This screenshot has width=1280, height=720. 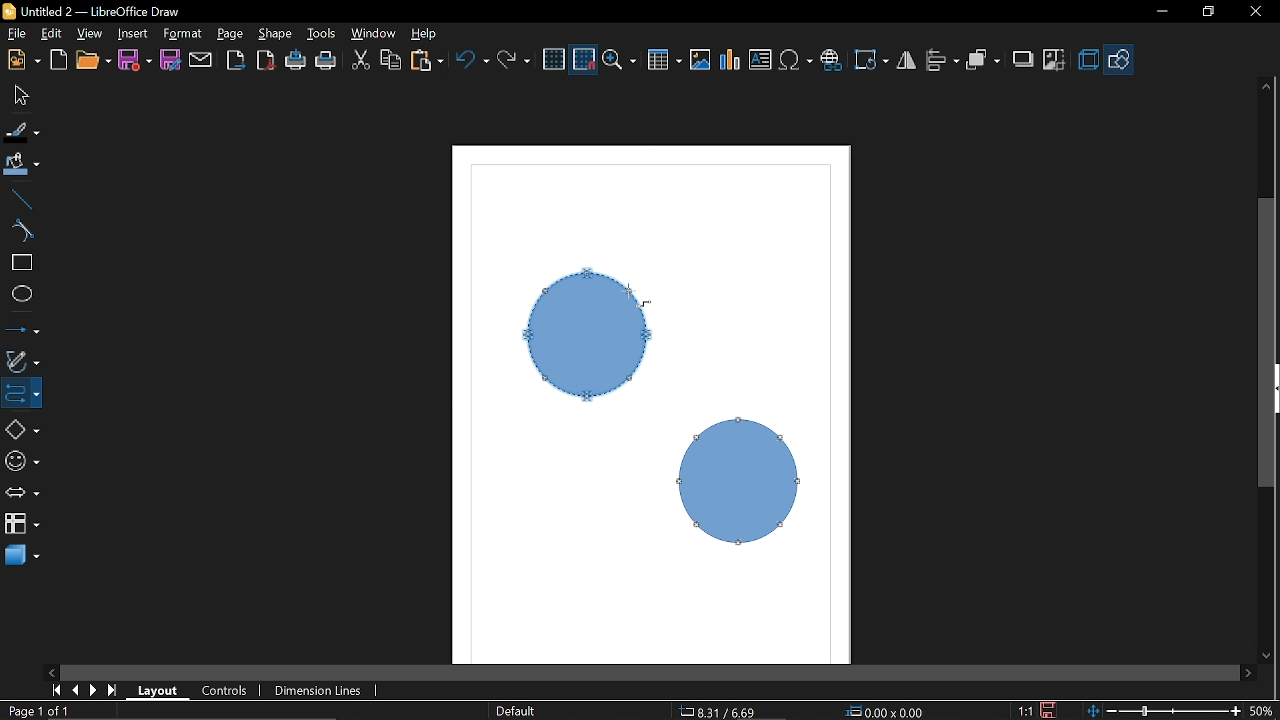 What do you see at coordinates (115, 690) in the screenshot?
I see `go to last page` at bounding box center [115, 690].